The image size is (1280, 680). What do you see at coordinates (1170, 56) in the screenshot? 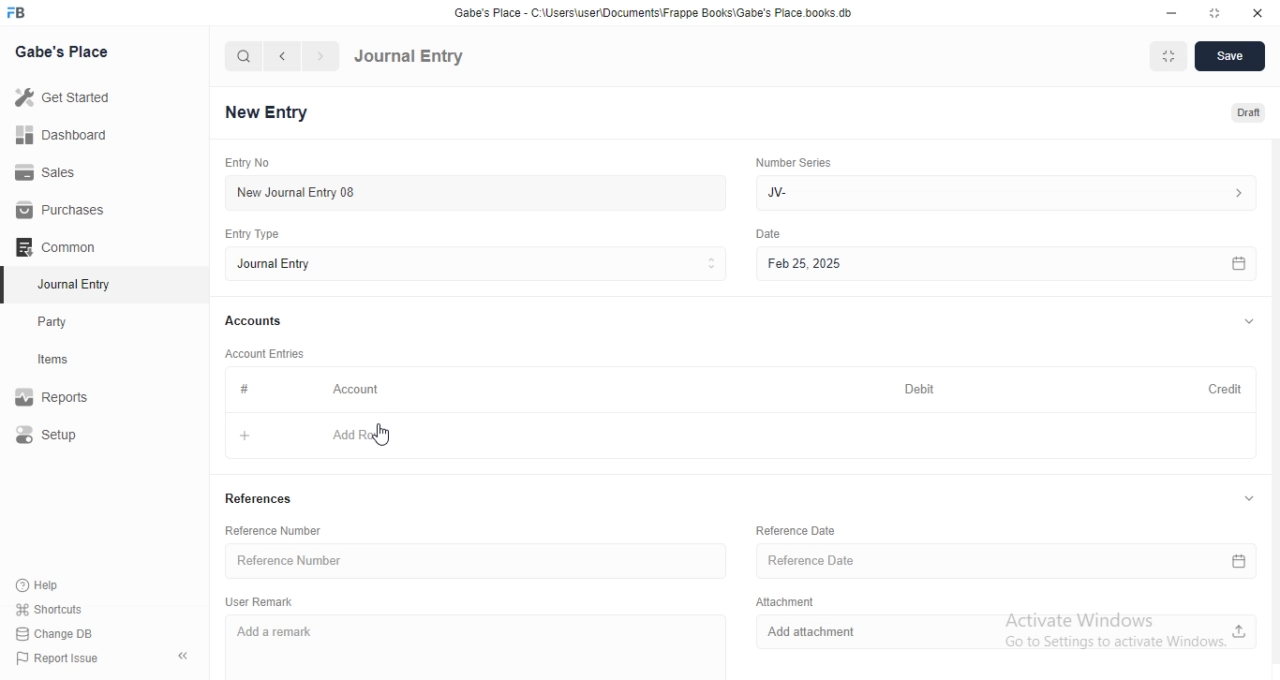
I see `Fit to Window` at bounding box center [1170, 56].